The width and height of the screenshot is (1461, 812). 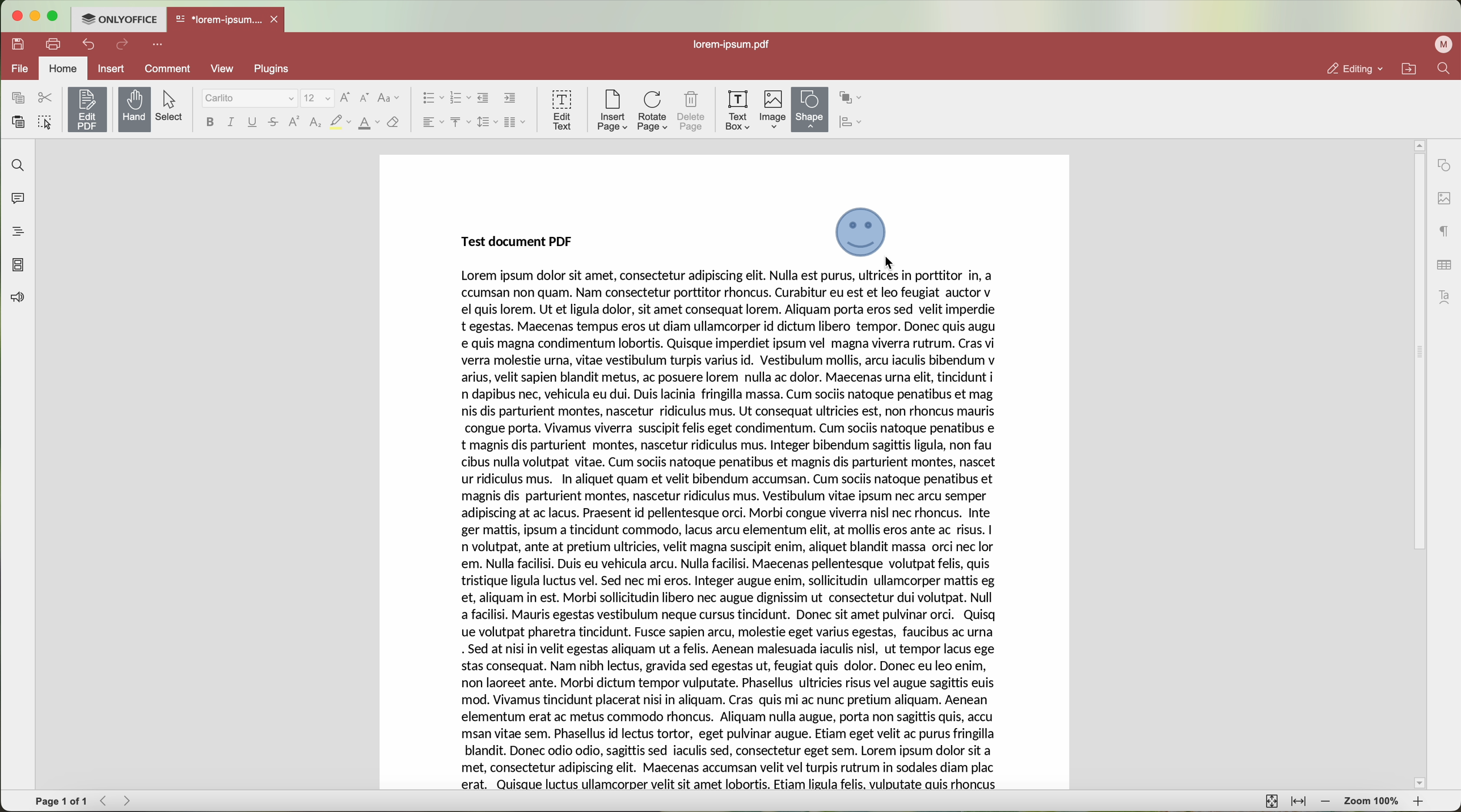 What do you see at coordinates (513, 240) in the screenshot?
I see `Test Document PDF` at bounding box center [513, 240].